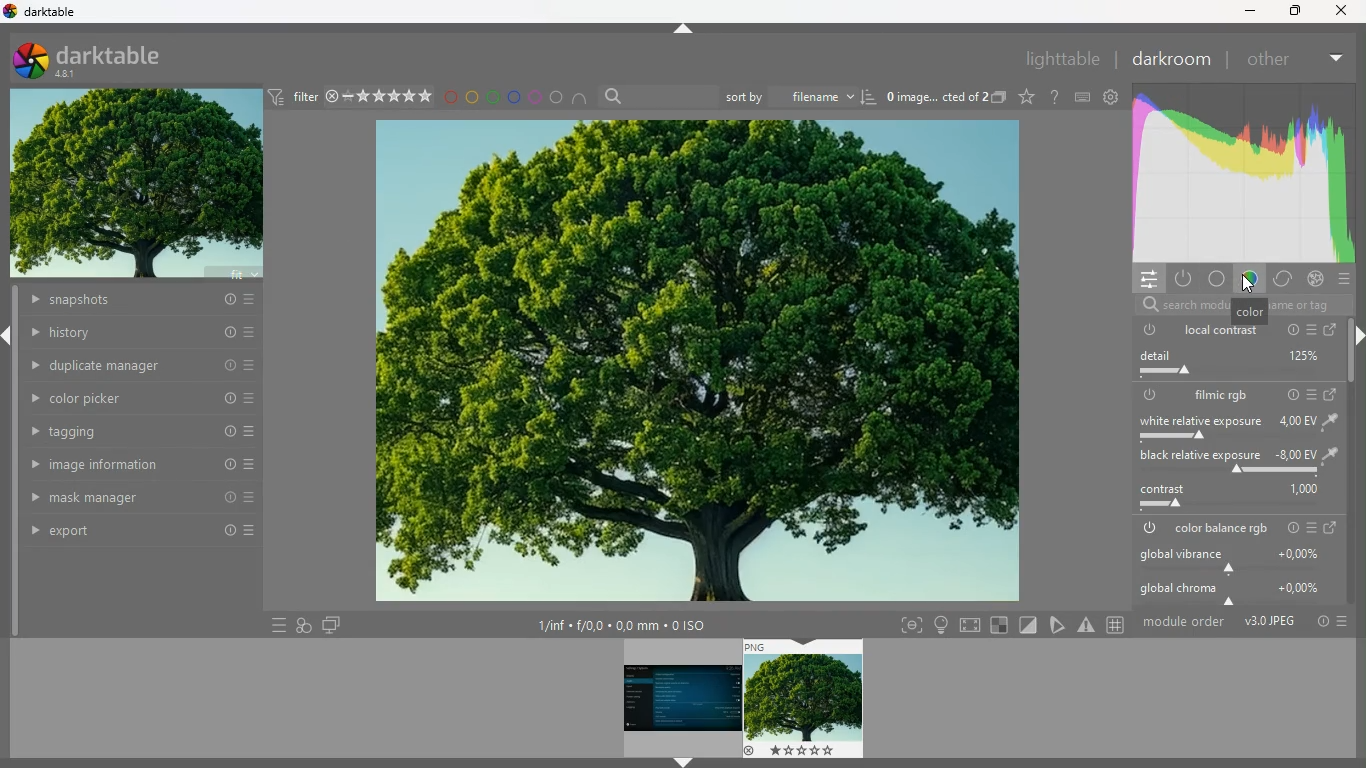  I want to click on settings, so click(1110, 96).